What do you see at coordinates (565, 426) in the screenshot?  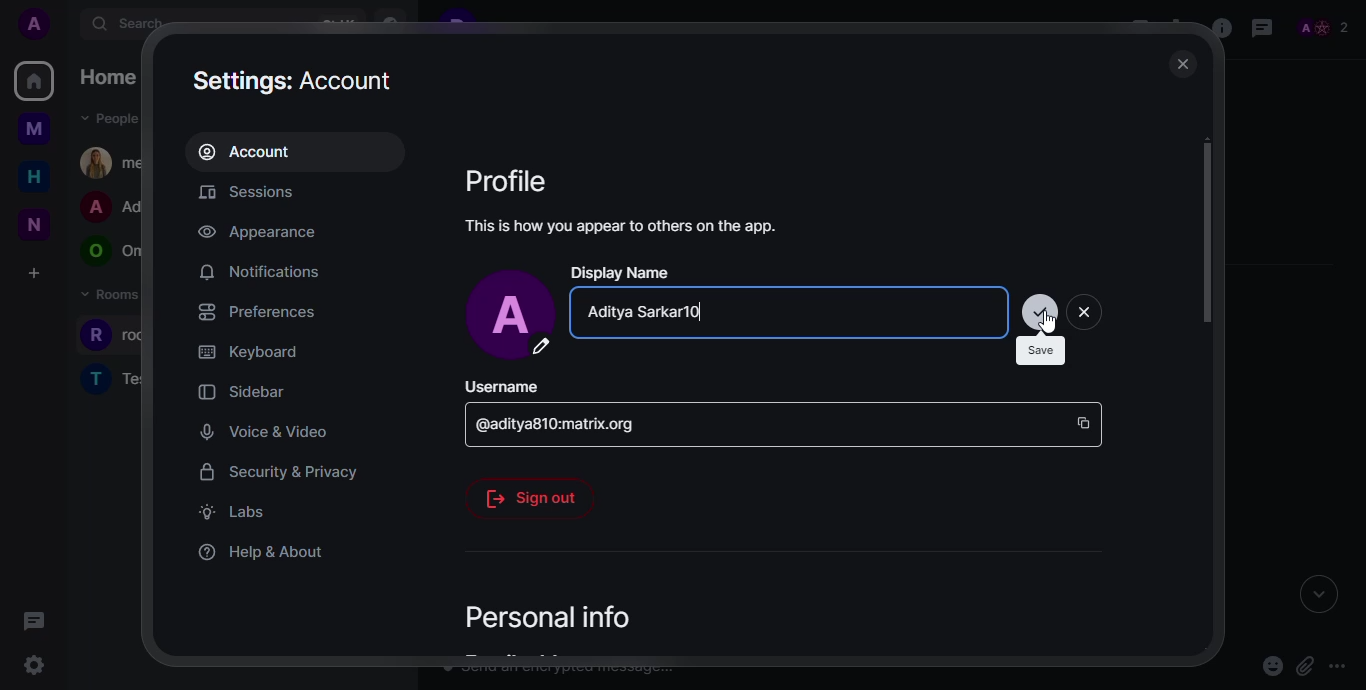 I see `id` at bounding box center [565, 426].